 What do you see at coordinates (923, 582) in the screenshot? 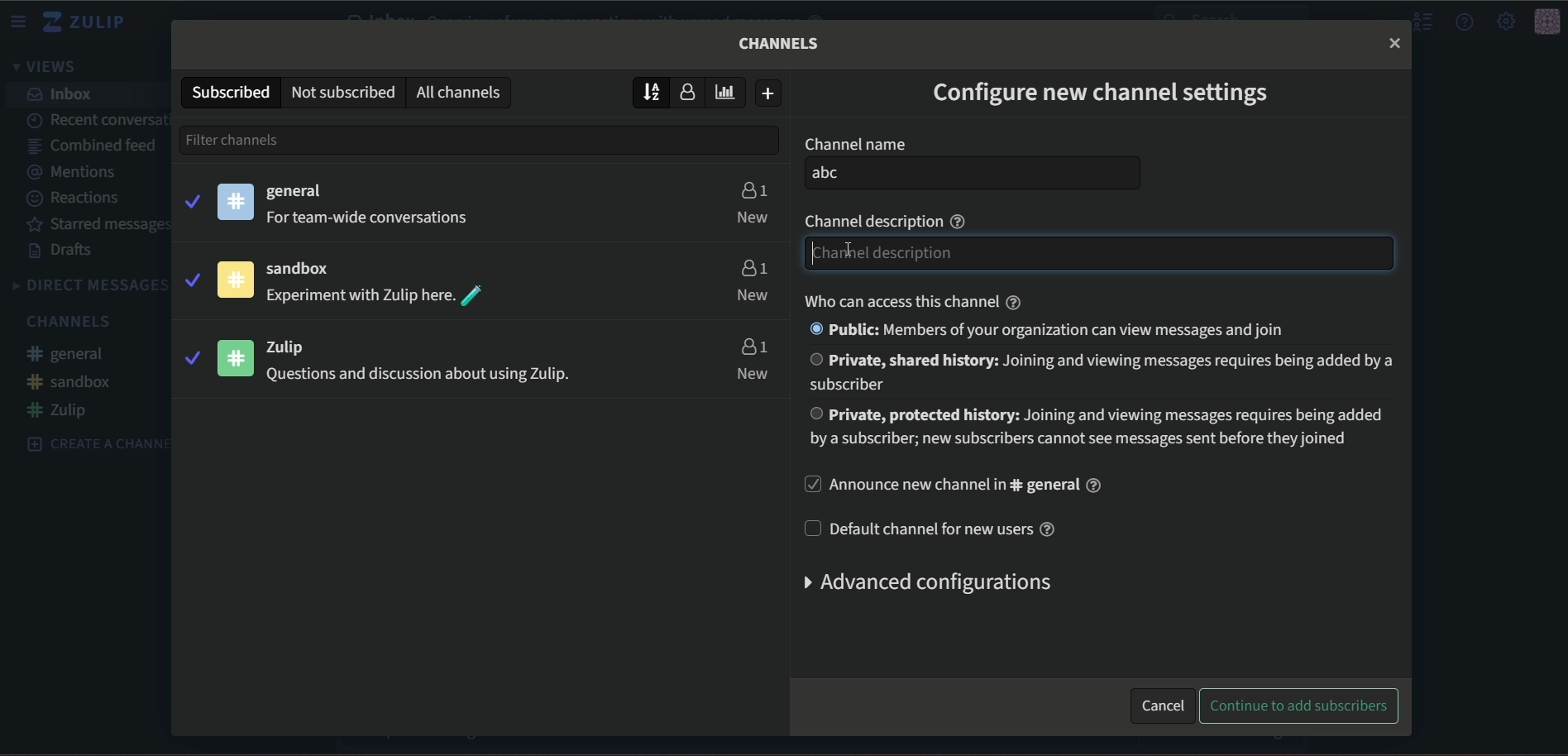
I see `advanced configurations` at bounding box center [923, 582].